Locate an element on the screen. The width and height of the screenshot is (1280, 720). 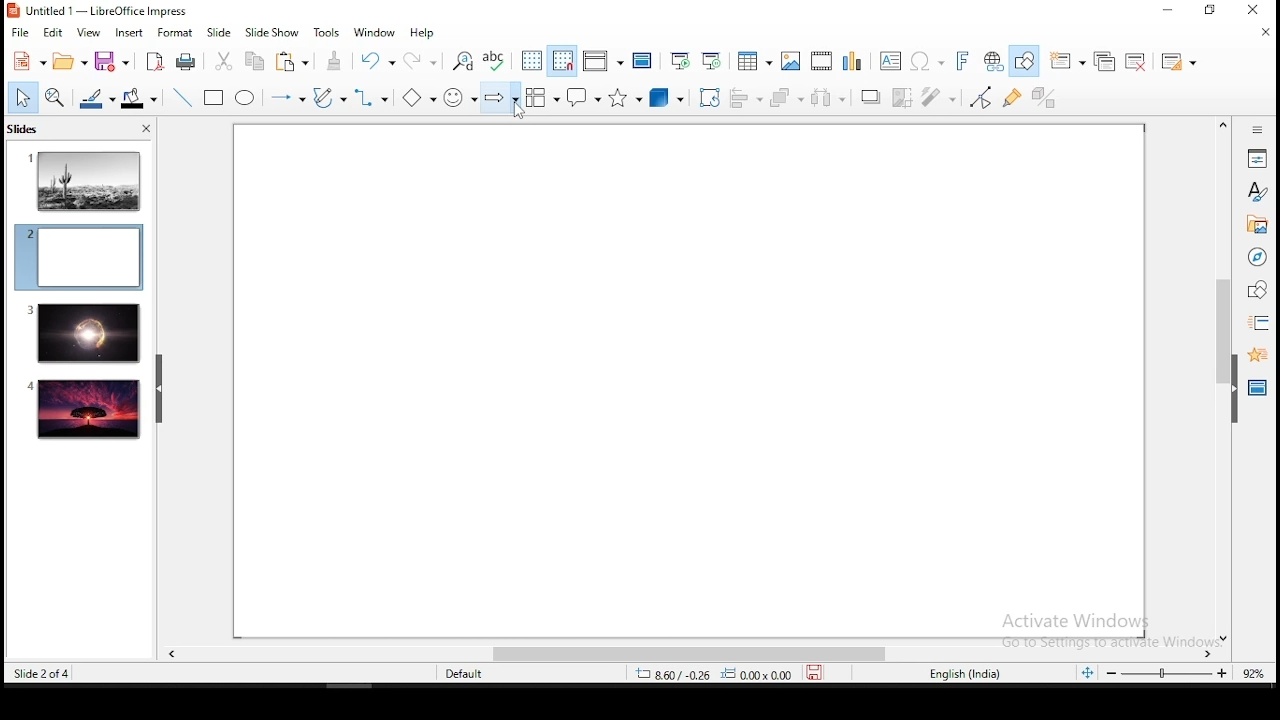
start from first slide is located at coordinates (680, 61).